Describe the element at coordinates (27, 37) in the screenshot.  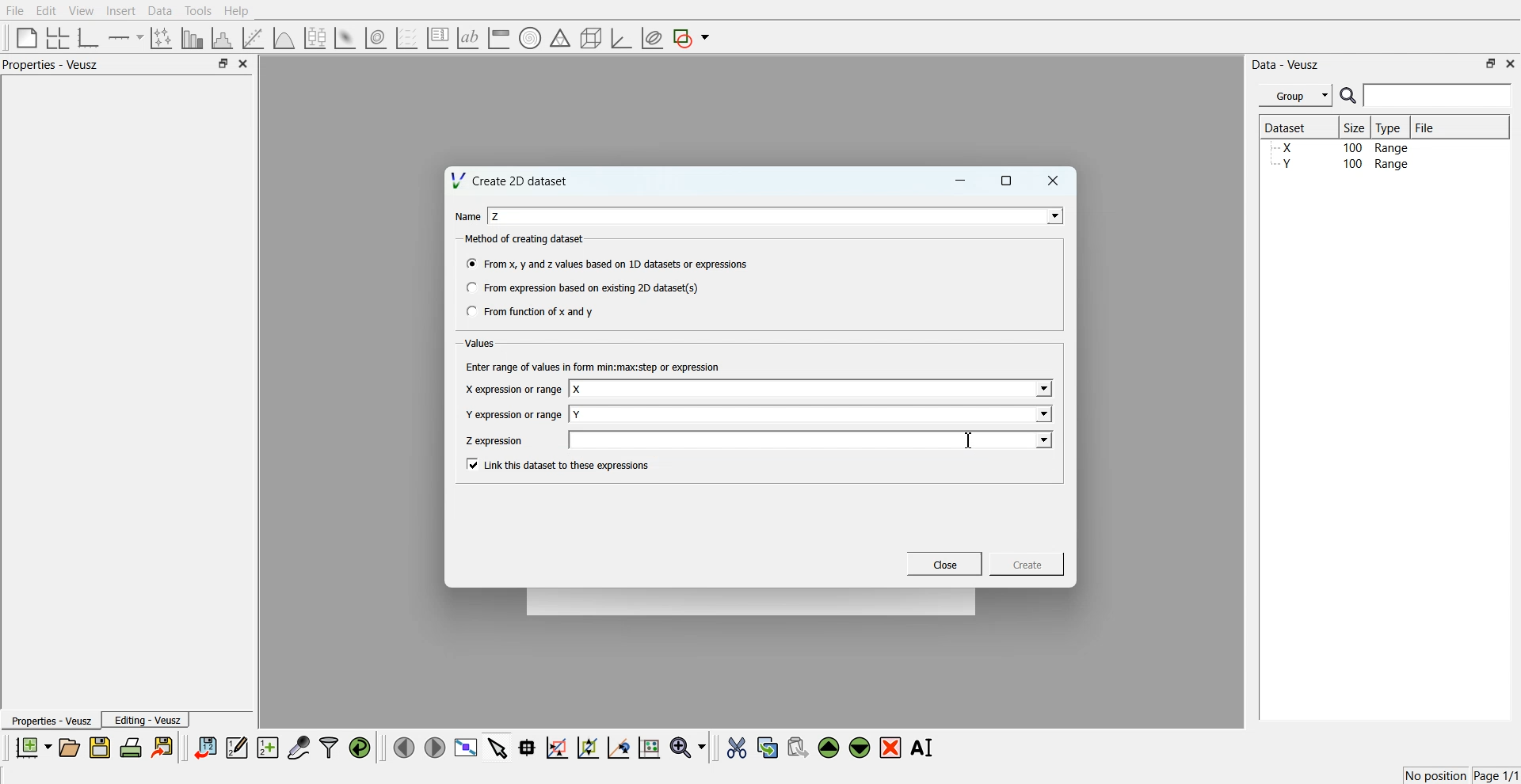
I see `Blank page` at that location.